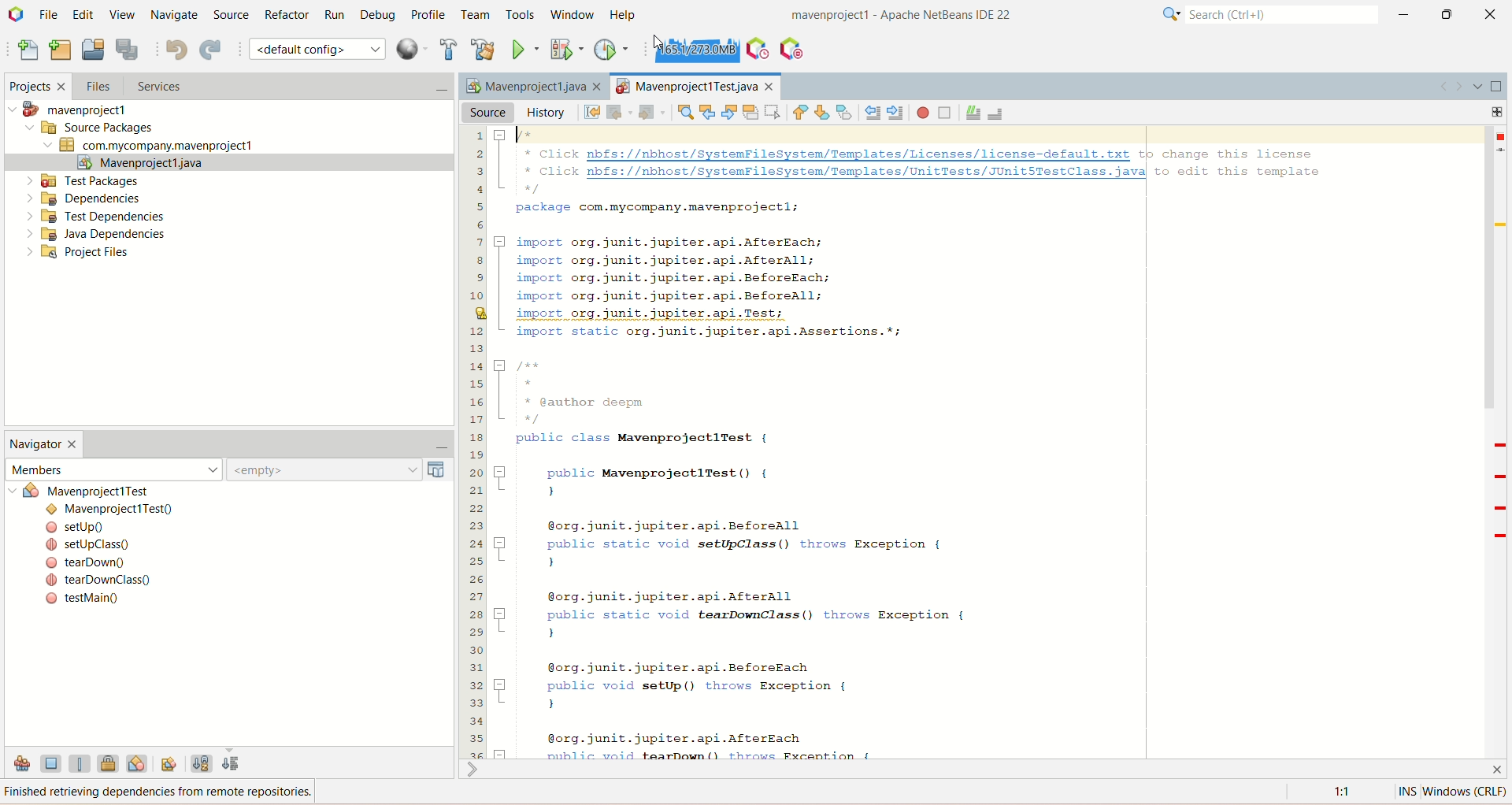 Image resolution: width=1512 pixels, height=805 pixels. Describe the element at coordinates (972, 454) in the screenshot. I see `* Click nbfs://nbhost/SystemFileSystem/Templates/Licenses/license-default.txt tp change this license
* Click nbfs://nbhost/SystemFileSystem/Templates/UnitTests/JUnit5TestClass.javal to edit this template
package com.mycompany.mavenprojectl;
J] import org.junit.jupiter.api.AfterEach;
import org.junit.jupiter.api.Afterall;
import org.junit.jupiter.api.BeforeEach;
import org.junit.jupiter.api.Beforeall;
import org.junit.jupiter.api.Test;
import static org.junit.jupiter.api.Assertions.*;
5 yee
[ * @author deepm
public class MavenprojectlTest {
7 public MavenprojectlTest() {
)
@org.junit.jupiter.api.Beforeall
7 public static void setUpClass() throws Exception {
)
@org.junit.jupiter.api.Afterall
7 public static void tearDownClass() throws Exception {
)
@org.junit.jupiter.api.BeforeEach
7 public void setUp() throws Exception {
)
@org.junit.jupiter.api.AfterEach
=1 miblic void tearDown() throws Fxcention (` at that location.